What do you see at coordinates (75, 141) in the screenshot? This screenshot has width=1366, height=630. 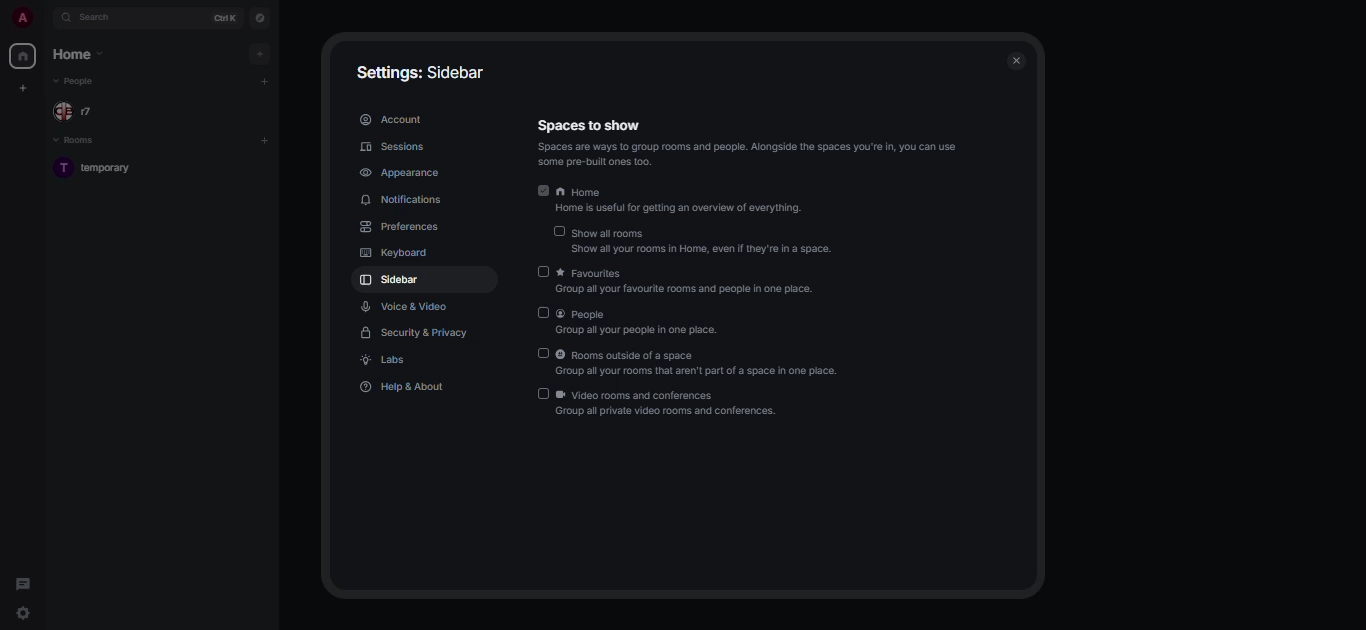 I see `rooms` at bounding box center [75, 141].